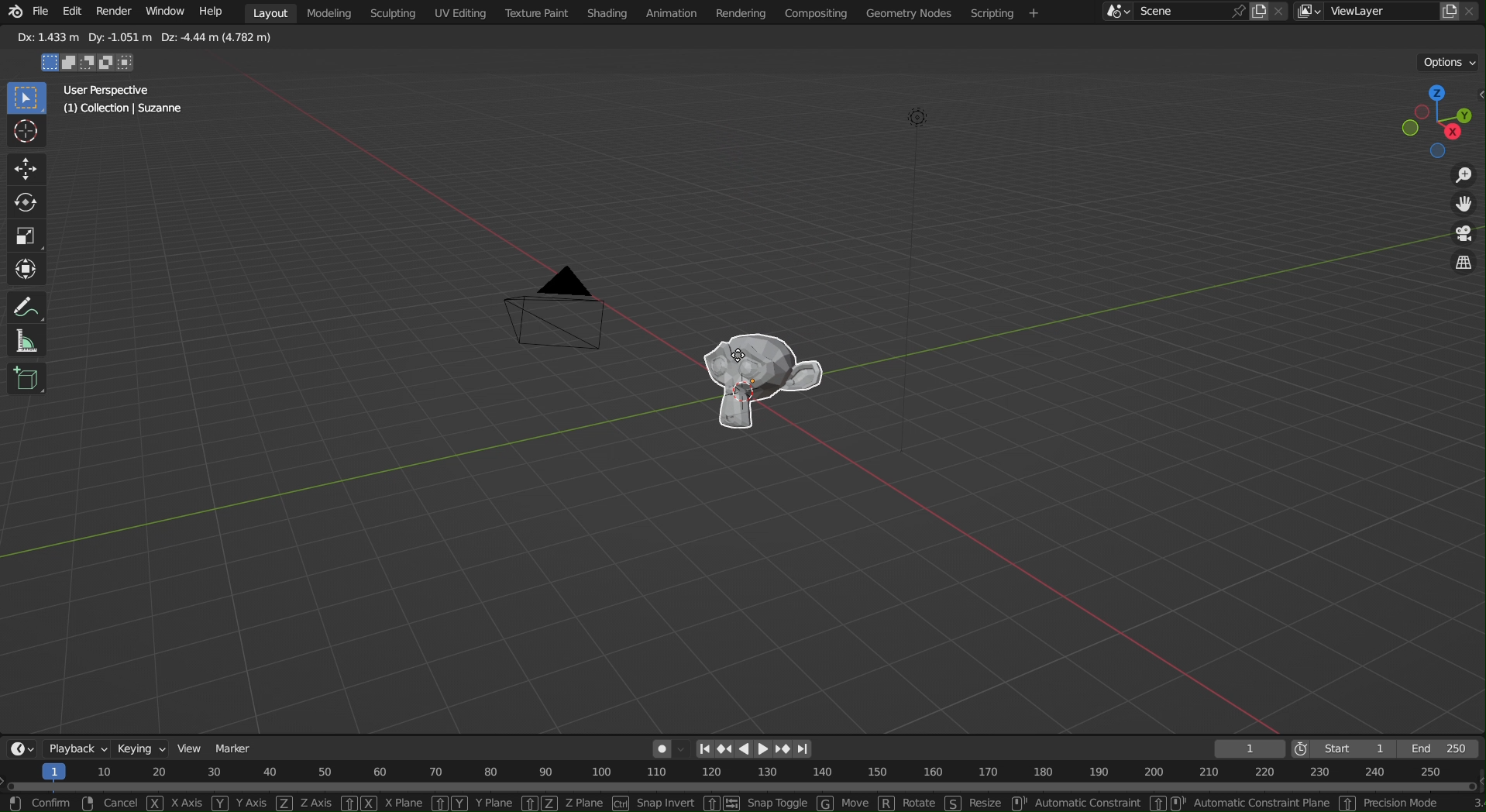 The width and height of the screenshot is (1486, 812). Describe the element at coordinates (1463, 264) in the screenshot. I see `Toggle View` at that location.